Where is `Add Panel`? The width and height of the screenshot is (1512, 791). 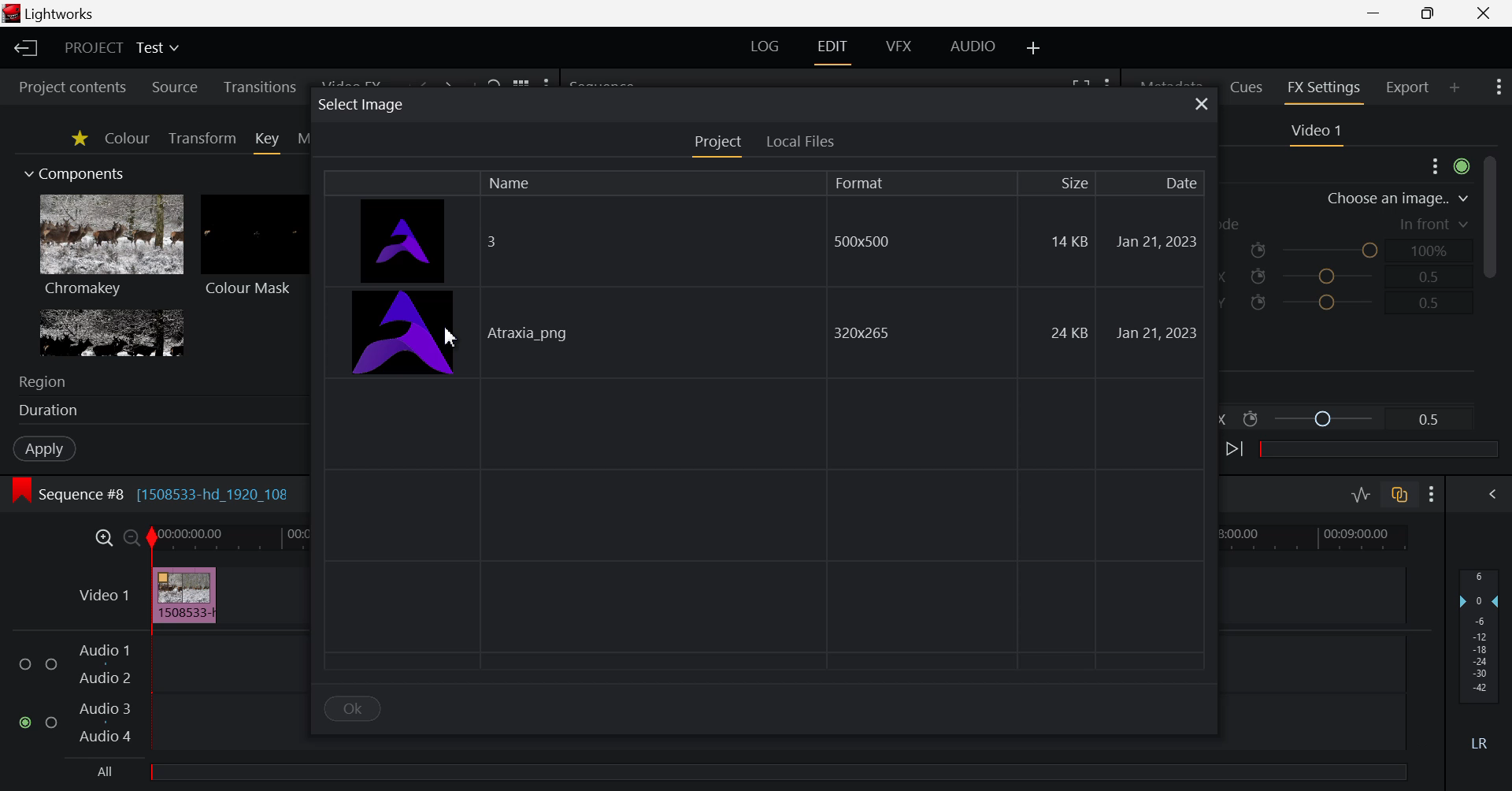 Add Panel is located at coordinates (1455, 87).